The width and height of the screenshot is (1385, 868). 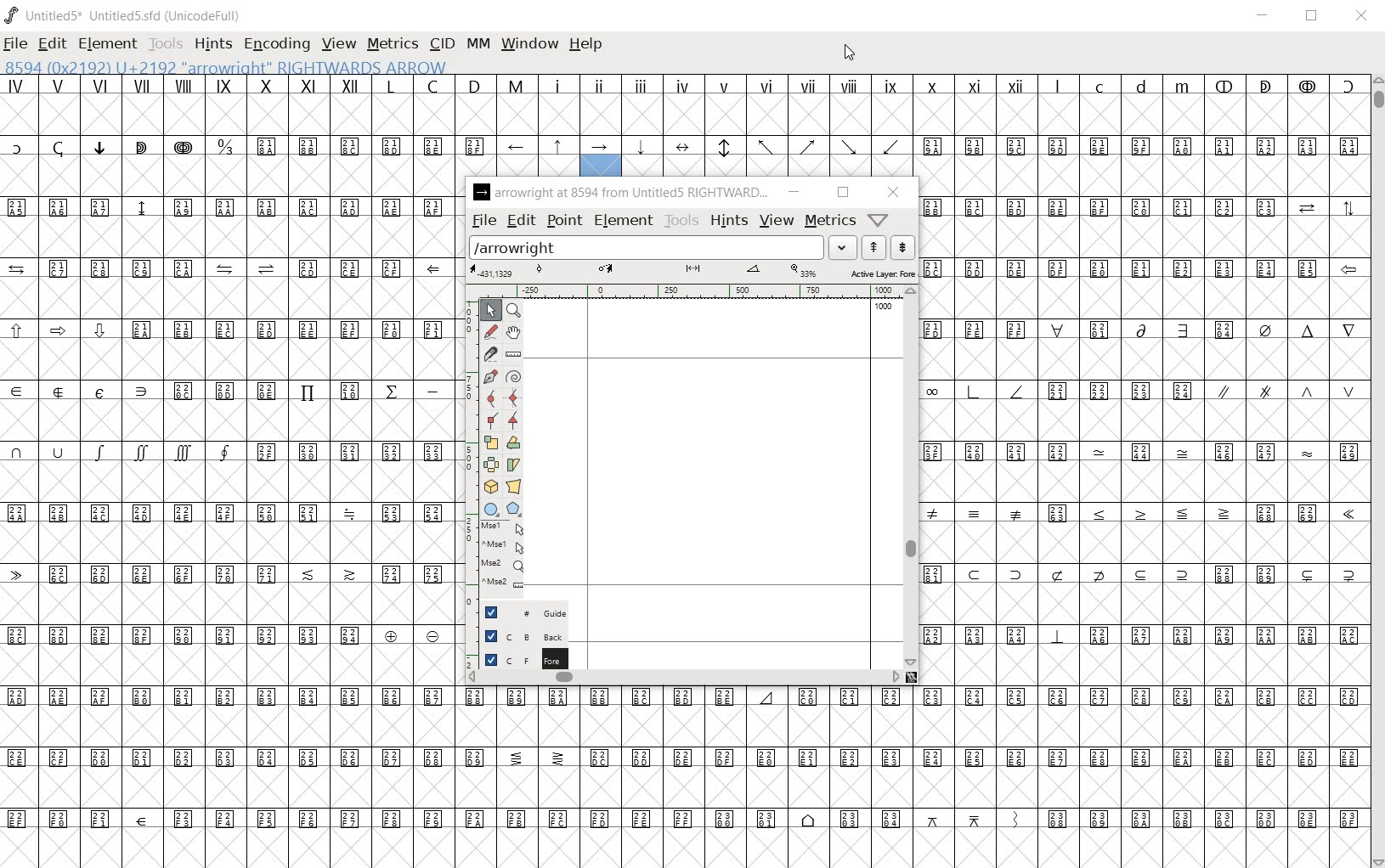 I want to click on gylph characters, so click(x=692, y=718).